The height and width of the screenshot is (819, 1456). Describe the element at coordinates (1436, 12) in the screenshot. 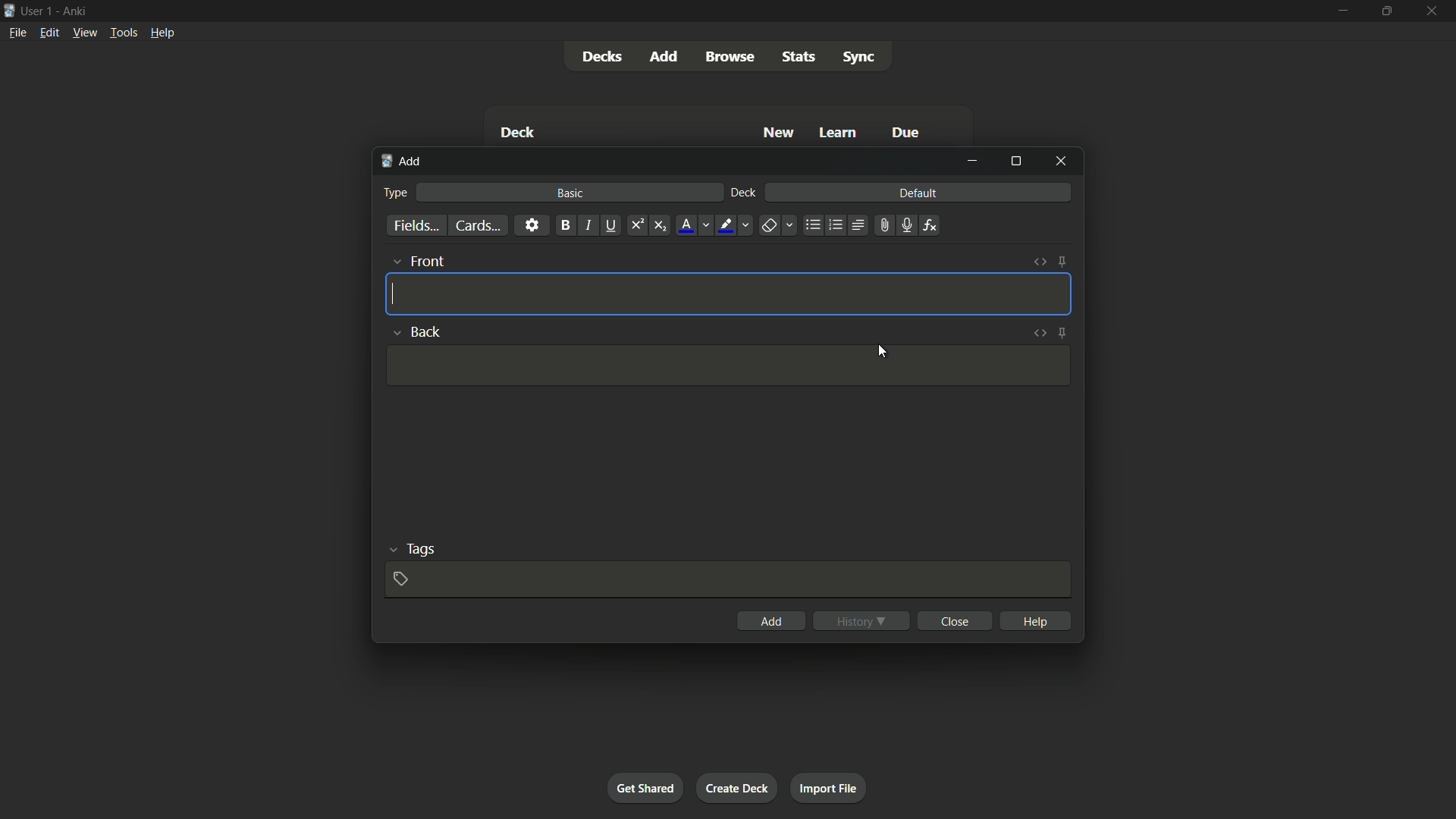

I see `close app` at that location.